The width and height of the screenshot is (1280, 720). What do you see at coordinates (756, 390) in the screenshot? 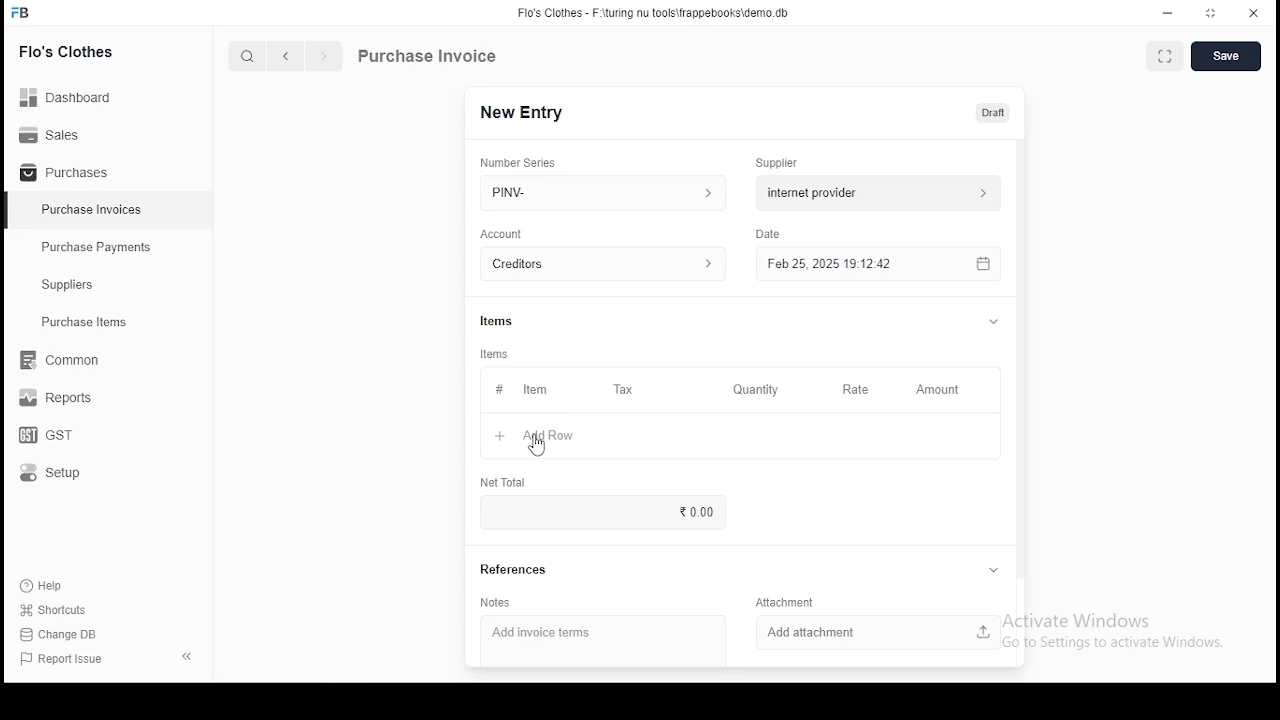
I see `quality` at bounding box center [756, 390].